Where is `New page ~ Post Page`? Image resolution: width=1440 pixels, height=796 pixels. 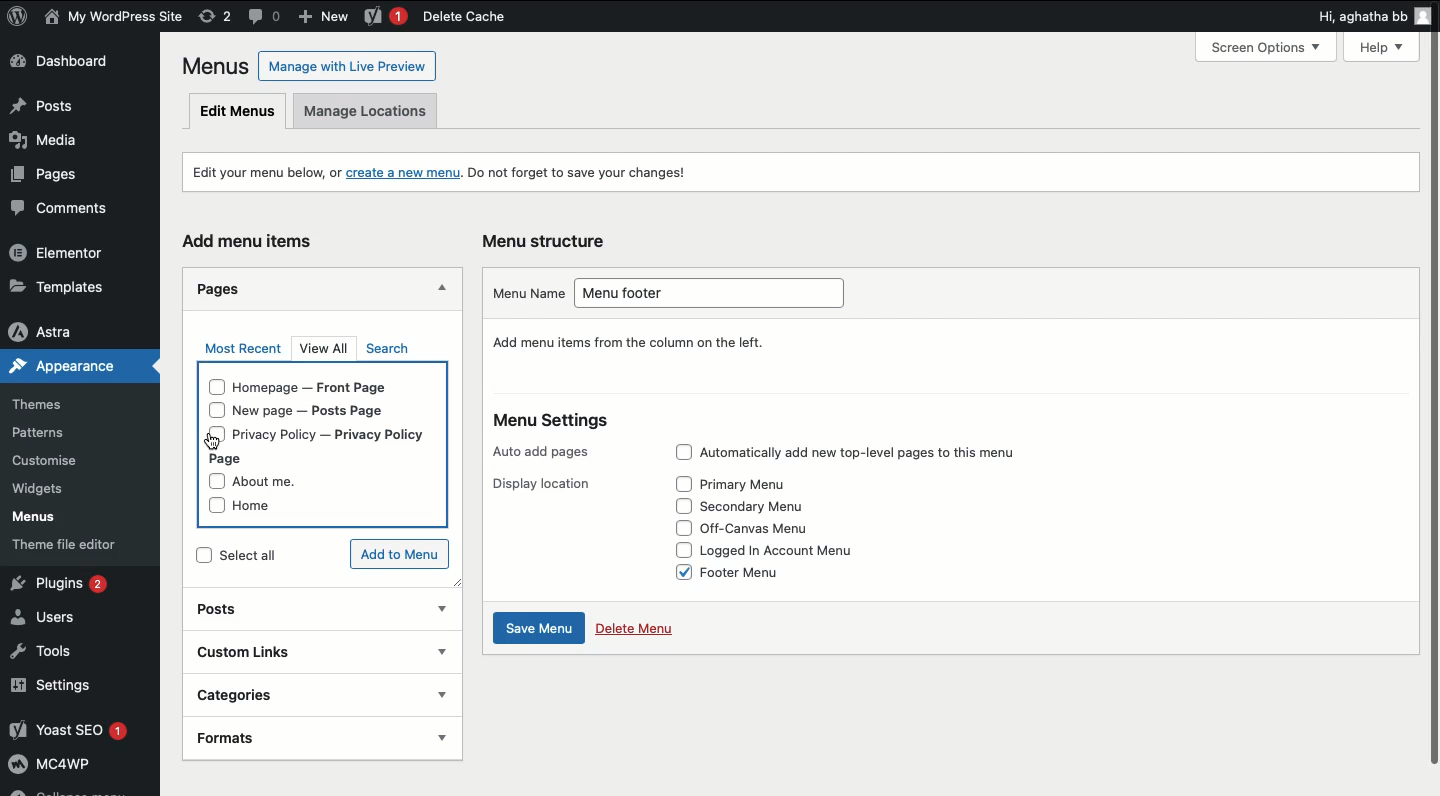 New page ~ Post Page is located at coordinates (323, 412).